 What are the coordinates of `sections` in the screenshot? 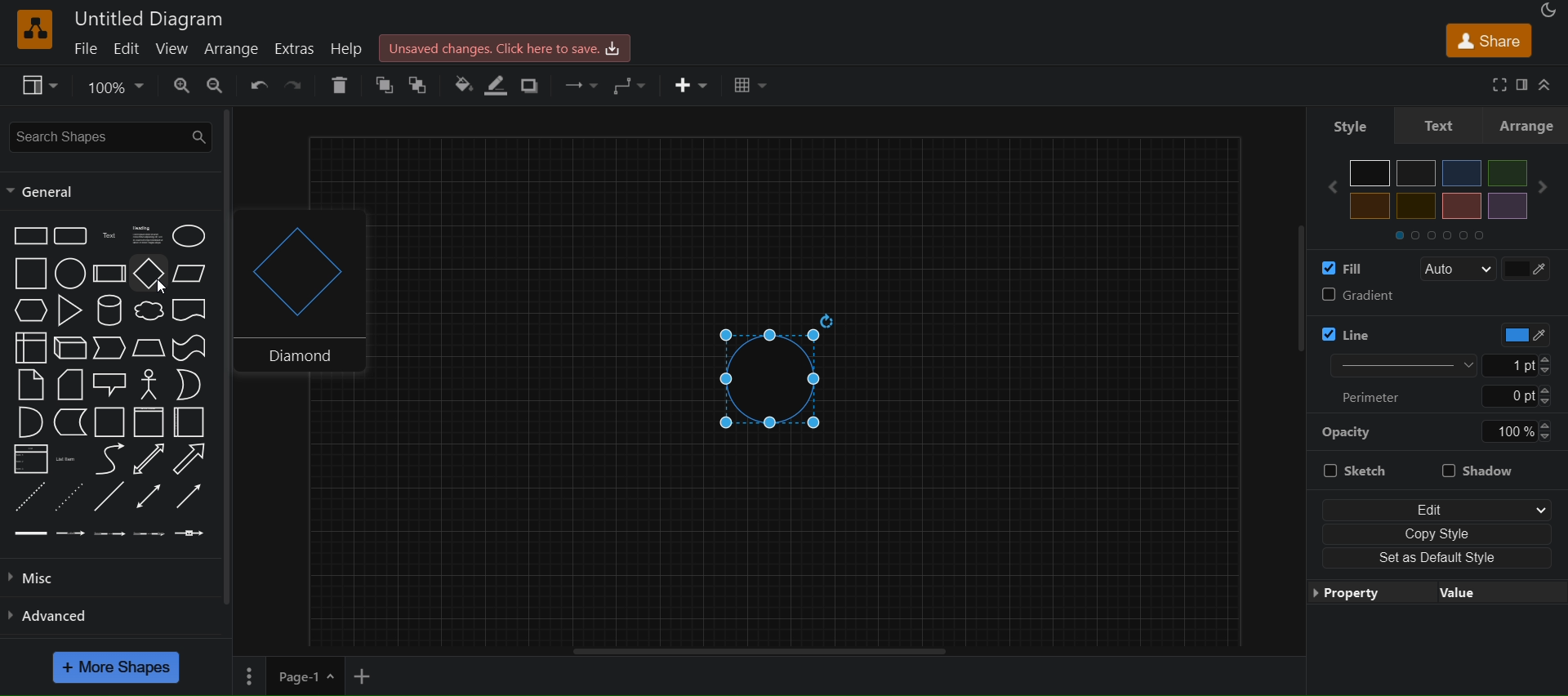 It's located at (1453, 234).